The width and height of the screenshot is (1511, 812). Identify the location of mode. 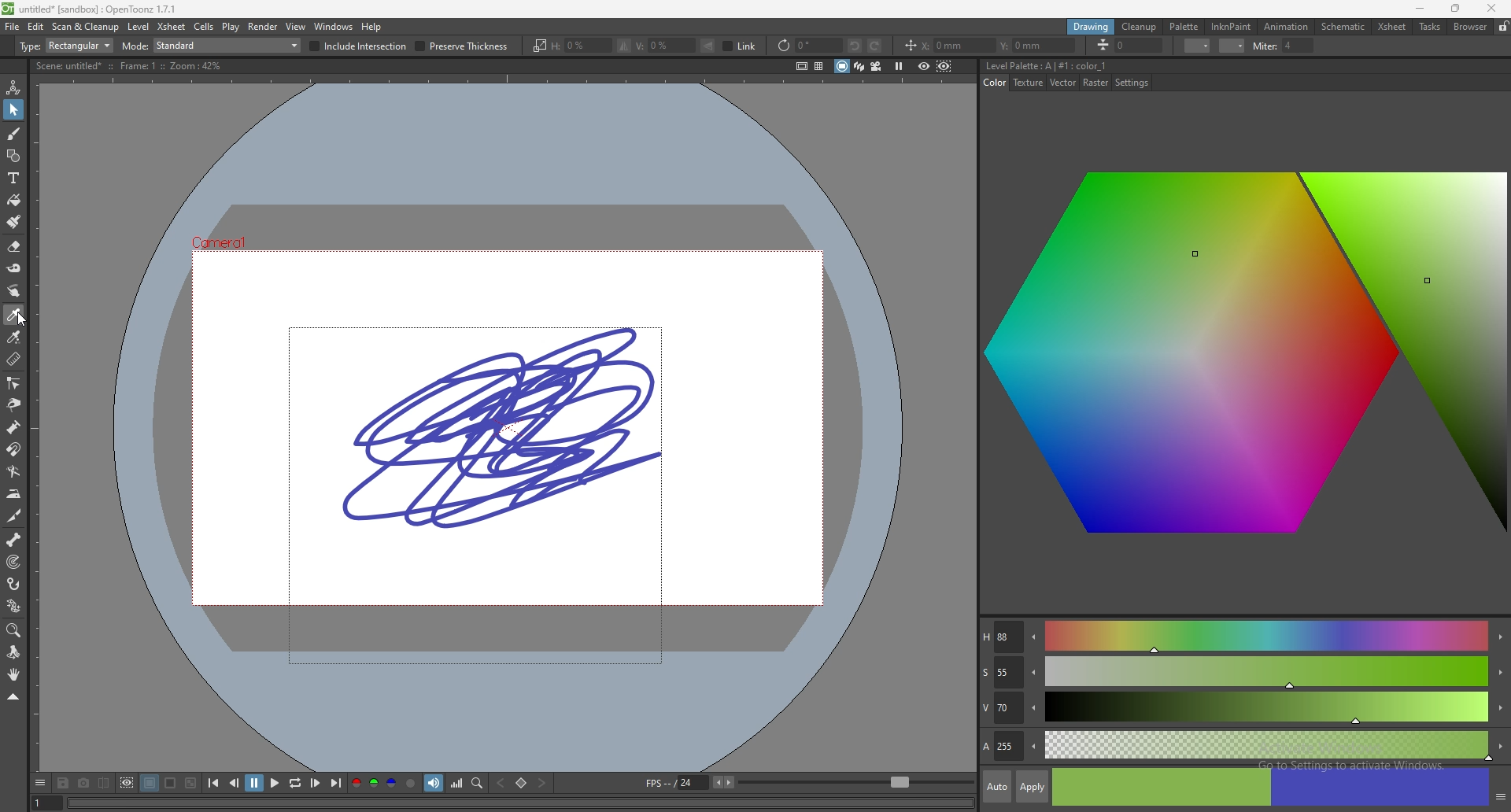
(212, 46).